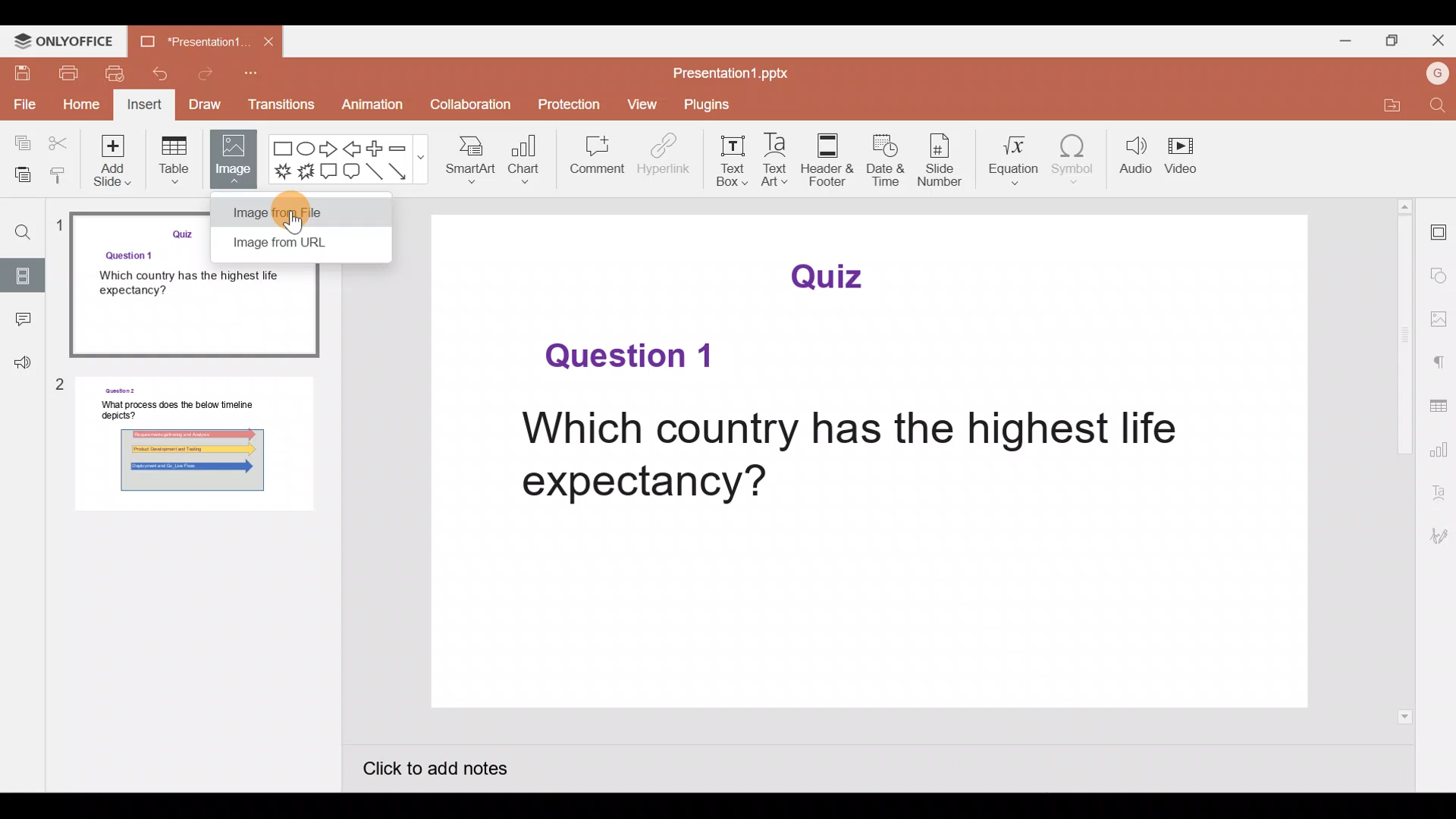 This screenshot has height=819, width=1456. What do you see at coordinates (628, 357) in the screenshot?
I see `Question 1` at bounding box center [628, 357].